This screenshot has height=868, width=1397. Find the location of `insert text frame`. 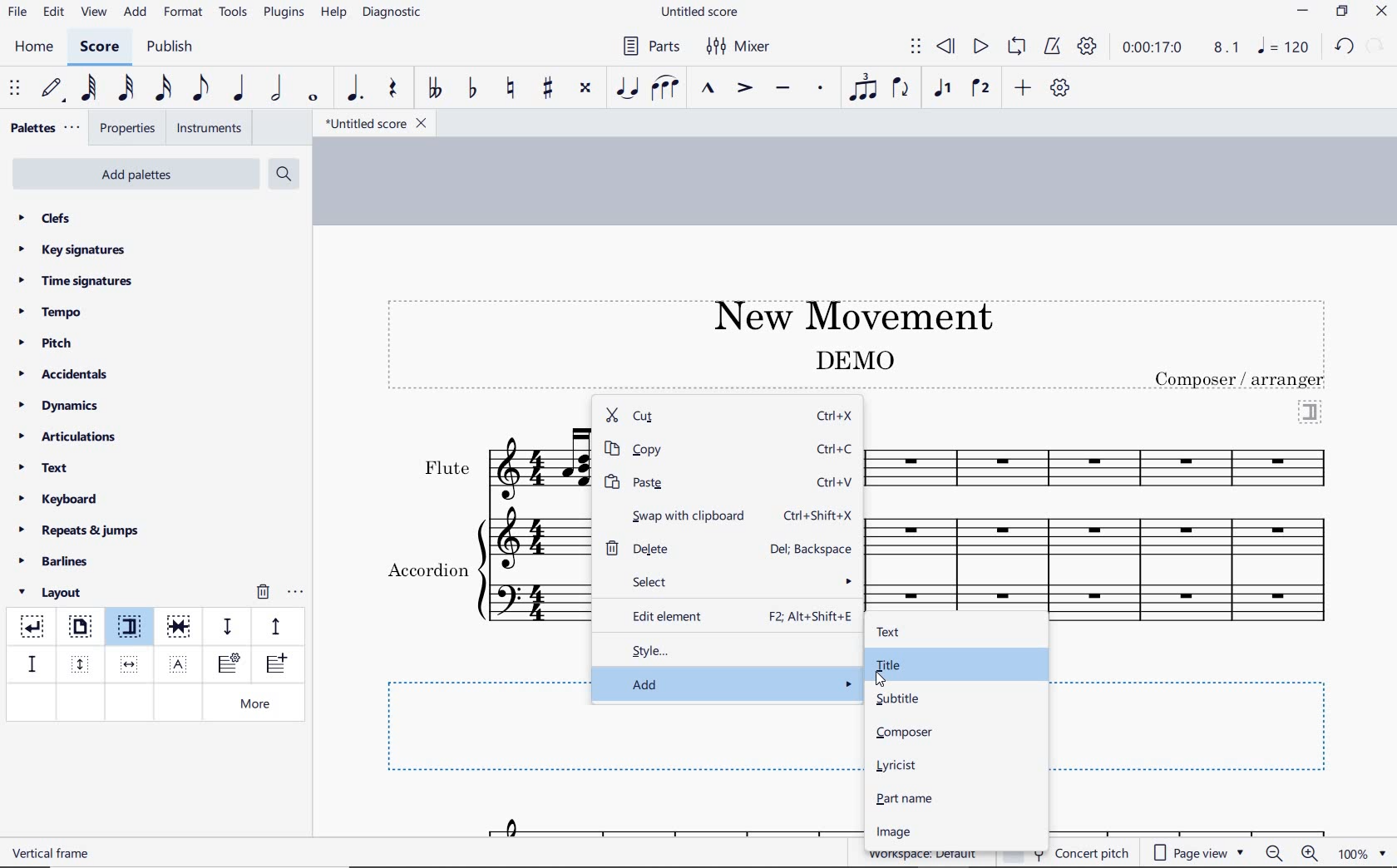

insert text frame is located at coordinates (180, 663).